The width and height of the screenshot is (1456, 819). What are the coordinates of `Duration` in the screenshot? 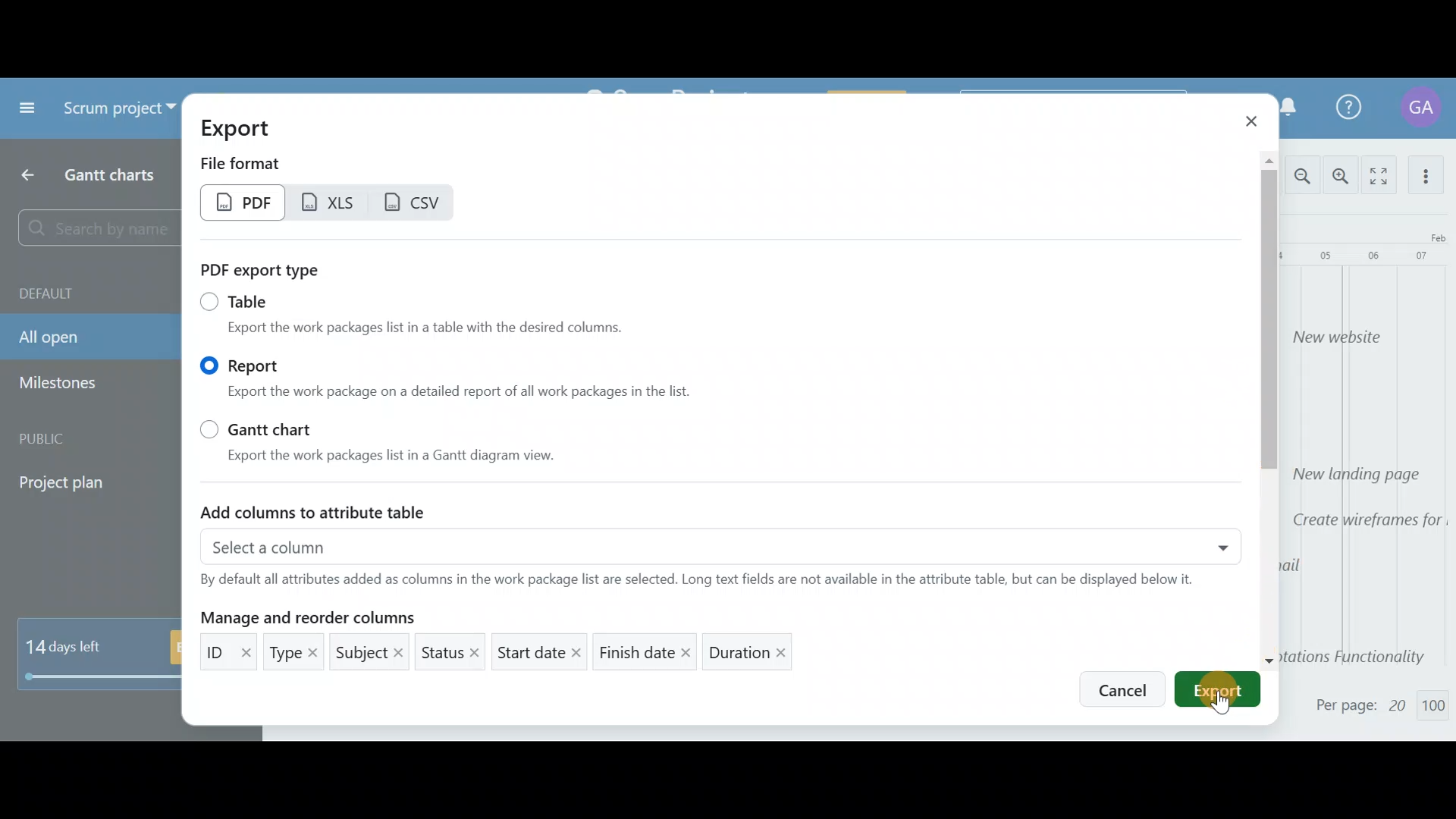 It's located at (748, 648).